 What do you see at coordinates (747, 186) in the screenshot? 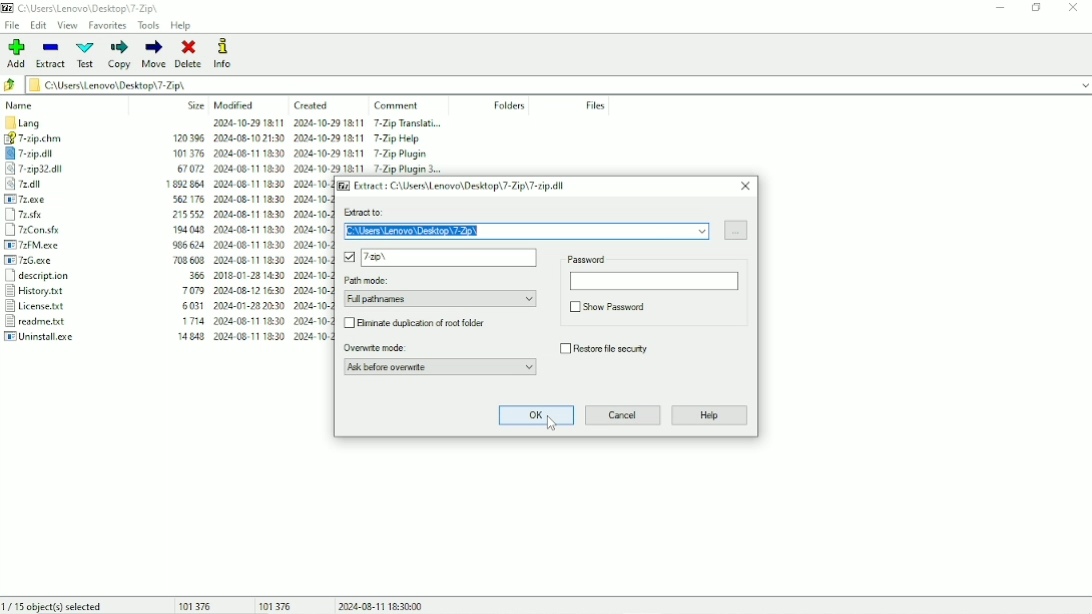
I see `Close` at bounding box center [747, 186].